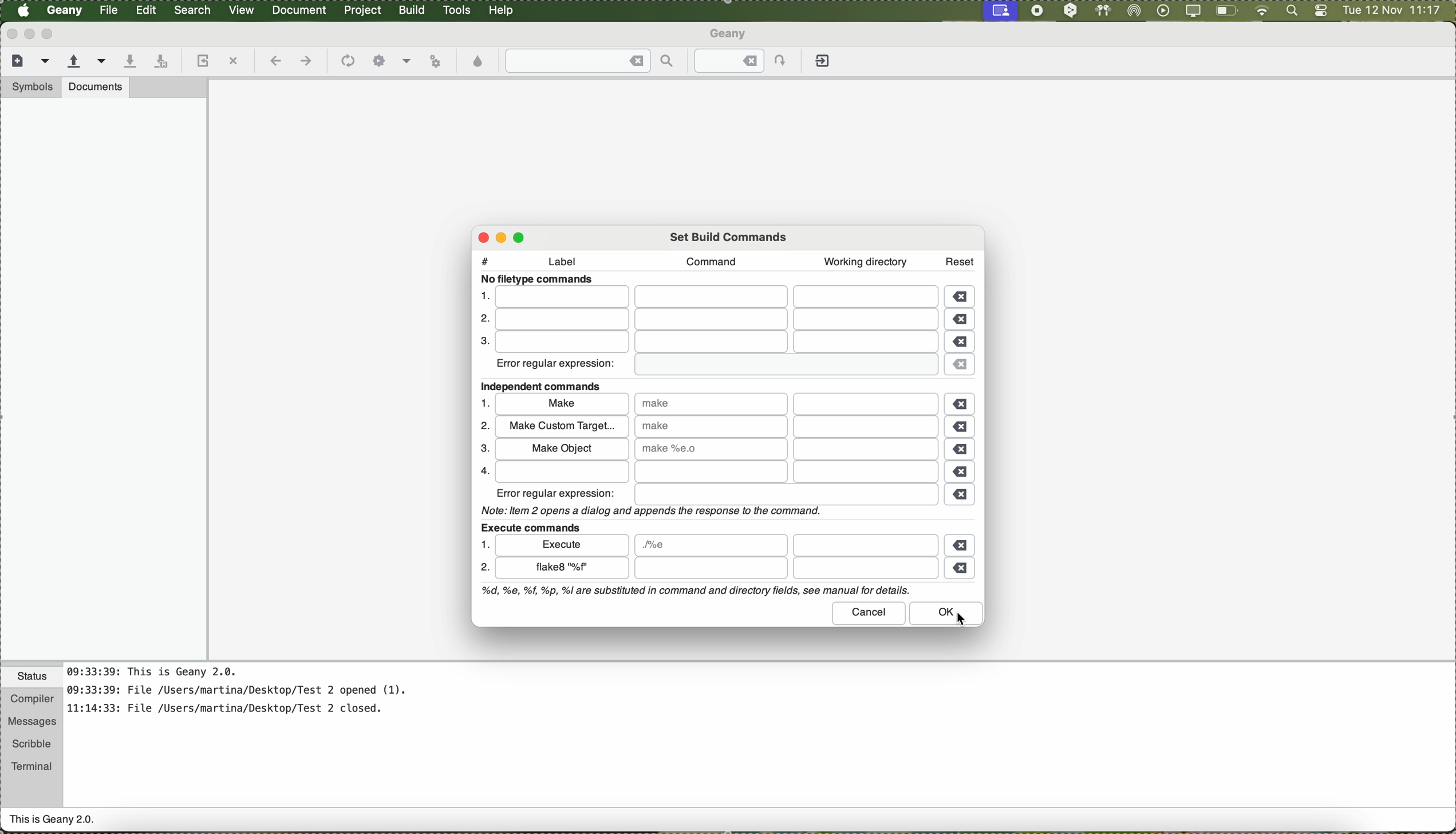  I want to click on command, so click(707, 261).